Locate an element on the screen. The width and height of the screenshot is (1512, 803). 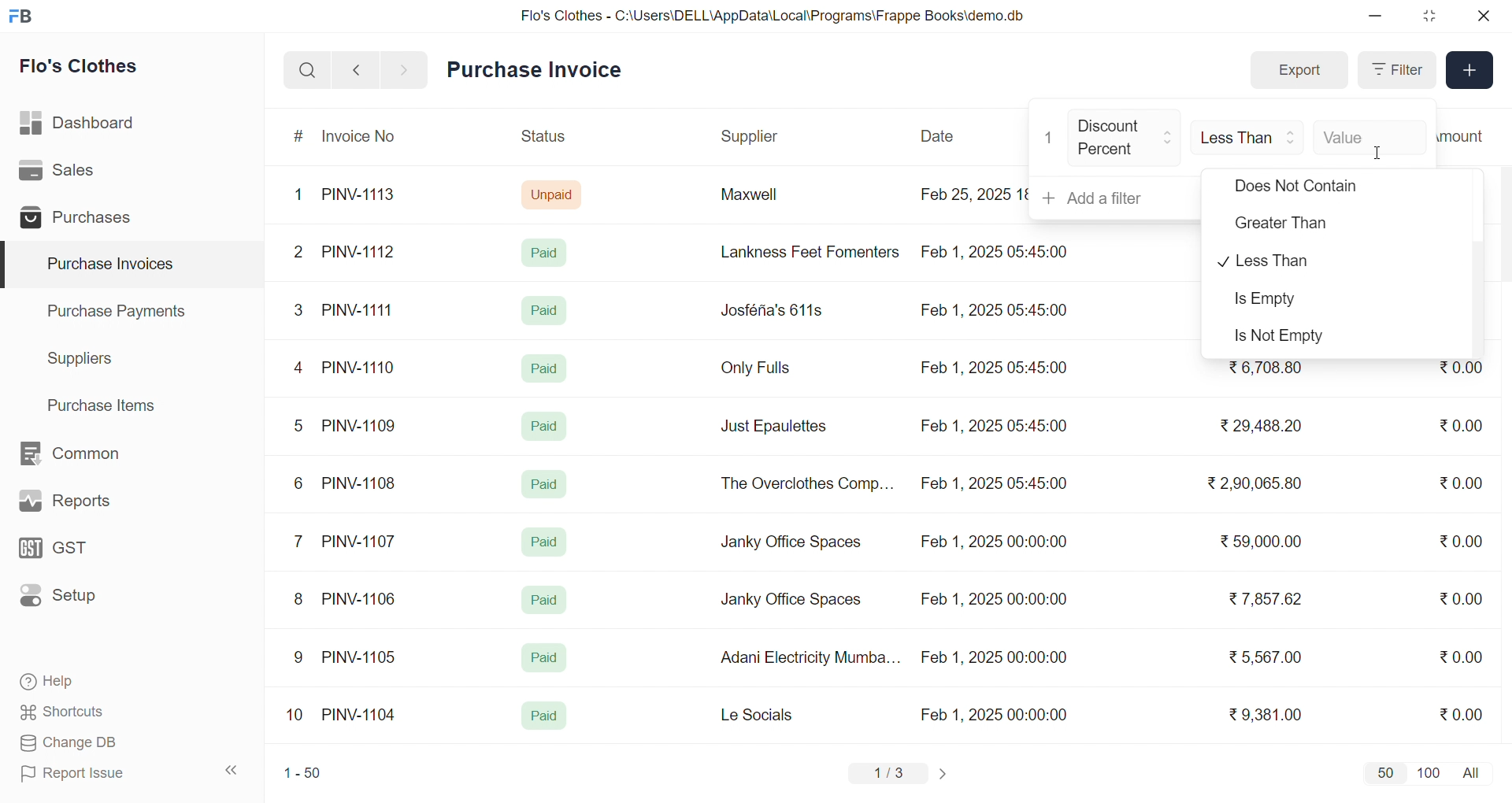
Is Not Empty is located at coordinates (1294, 337).